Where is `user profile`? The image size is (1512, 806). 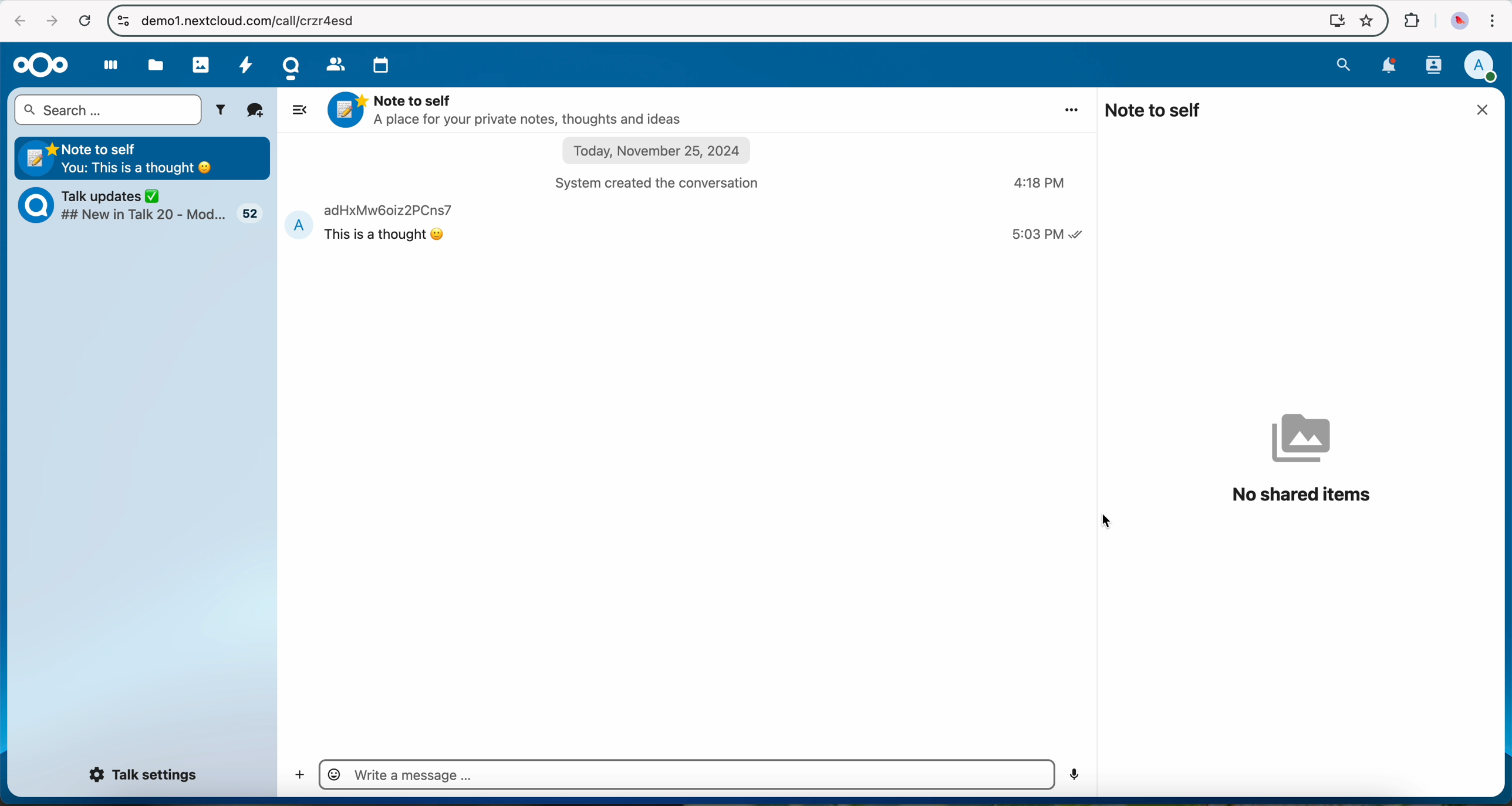
user profile is located at coordinates (1486, 66).